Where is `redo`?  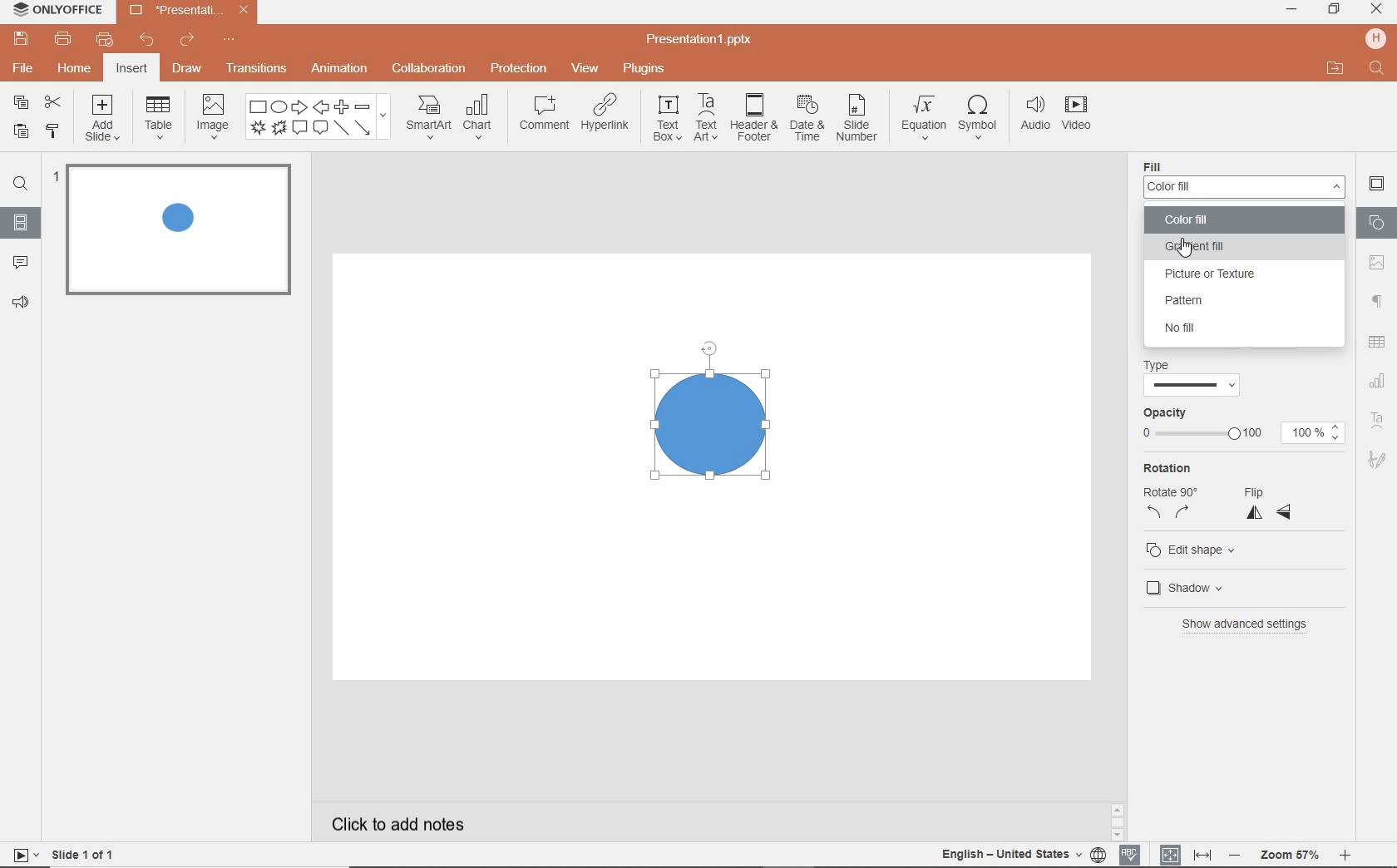
redo is located at coordinates (188, 40).